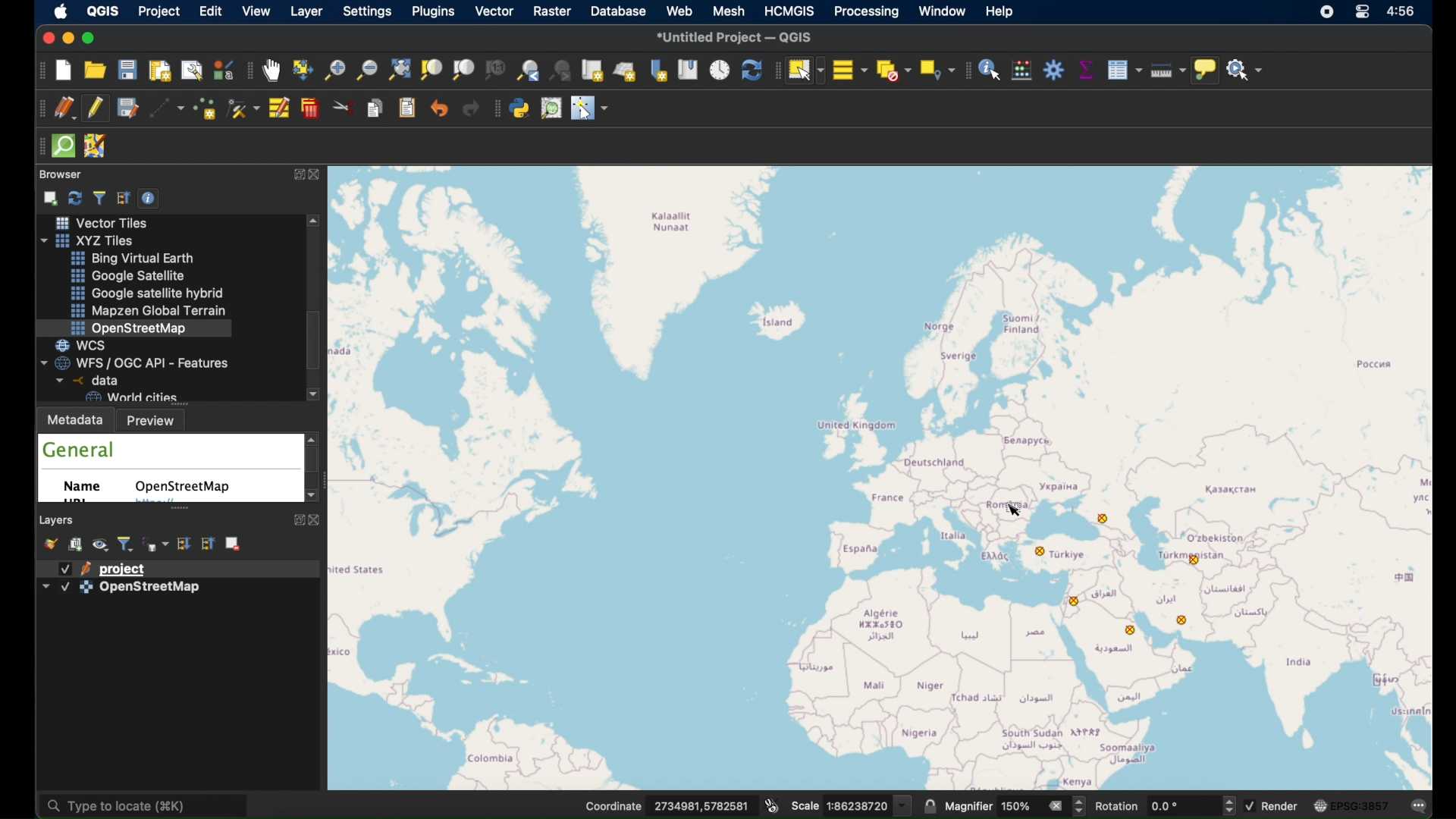 Image resolution: width=1456 pixels, height=819 pixels. What do you see at coordinates (1205, 71) in the screenshot?
I see `show map tips` at bounding box center [1205, 71].